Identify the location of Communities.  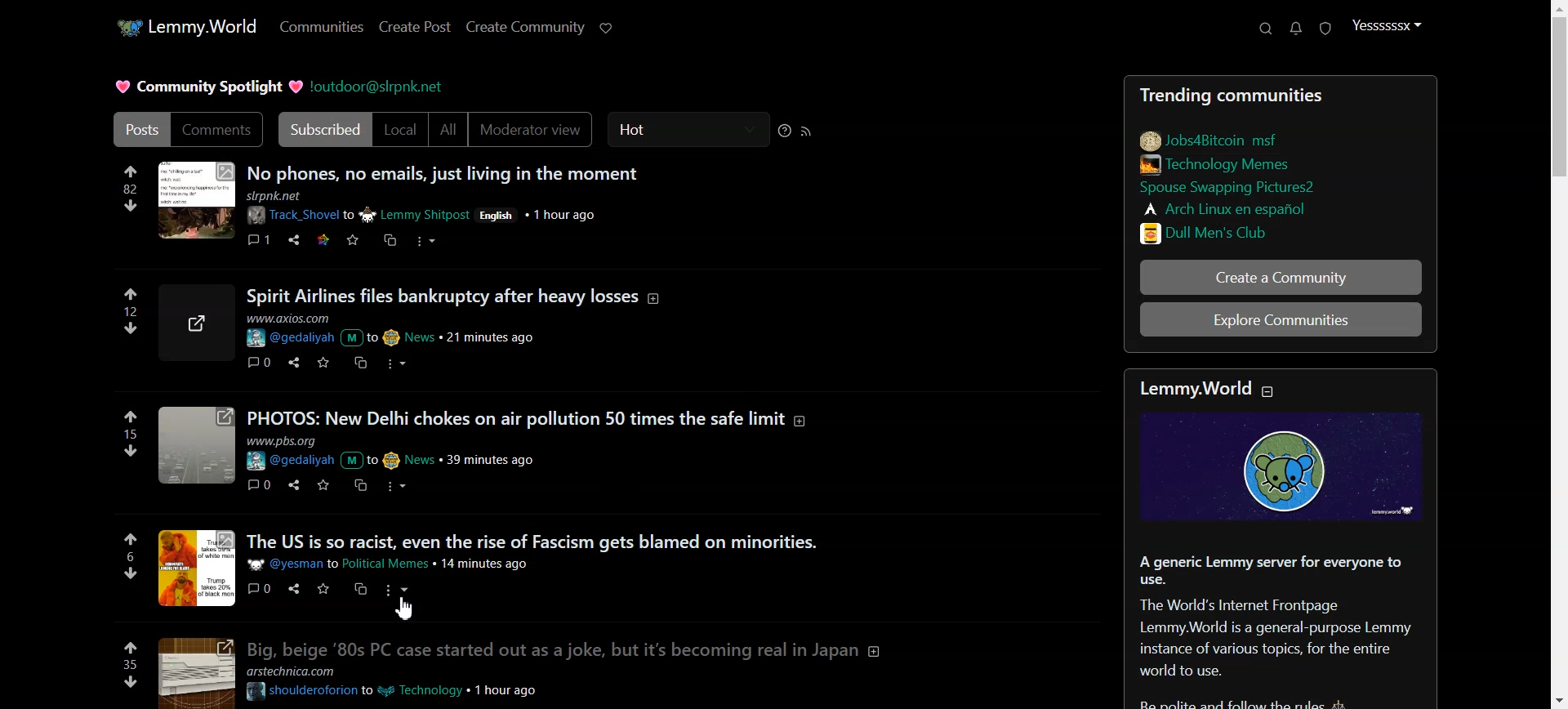
(321, 28).